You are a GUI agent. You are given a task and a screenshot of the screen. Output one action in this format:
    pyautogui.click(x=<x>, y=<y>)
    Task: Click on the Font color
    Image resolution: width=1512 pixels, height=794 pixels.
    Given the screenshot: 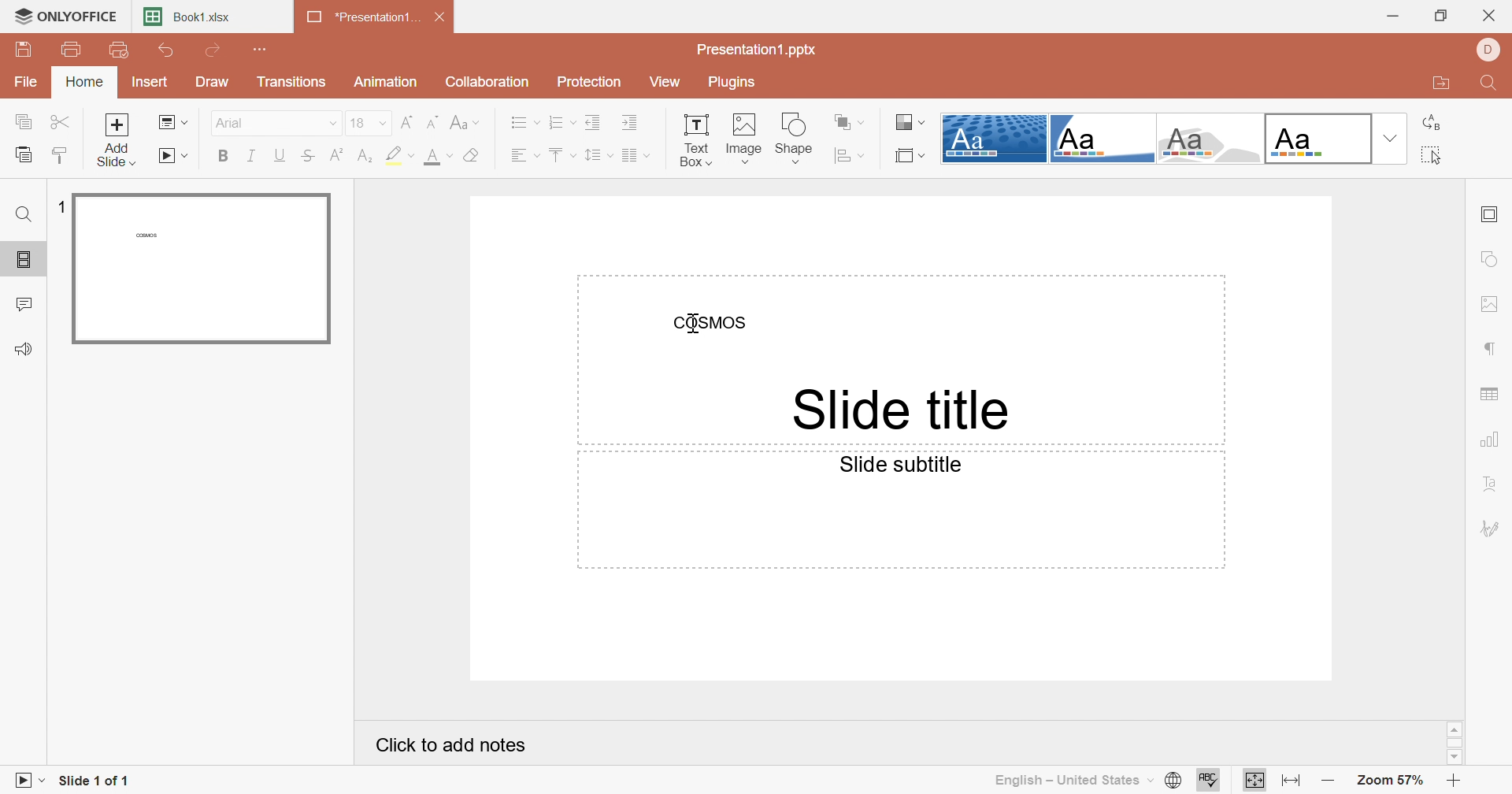 What is the action you would take?
    pyautogui.click(x=438, y=158)
    